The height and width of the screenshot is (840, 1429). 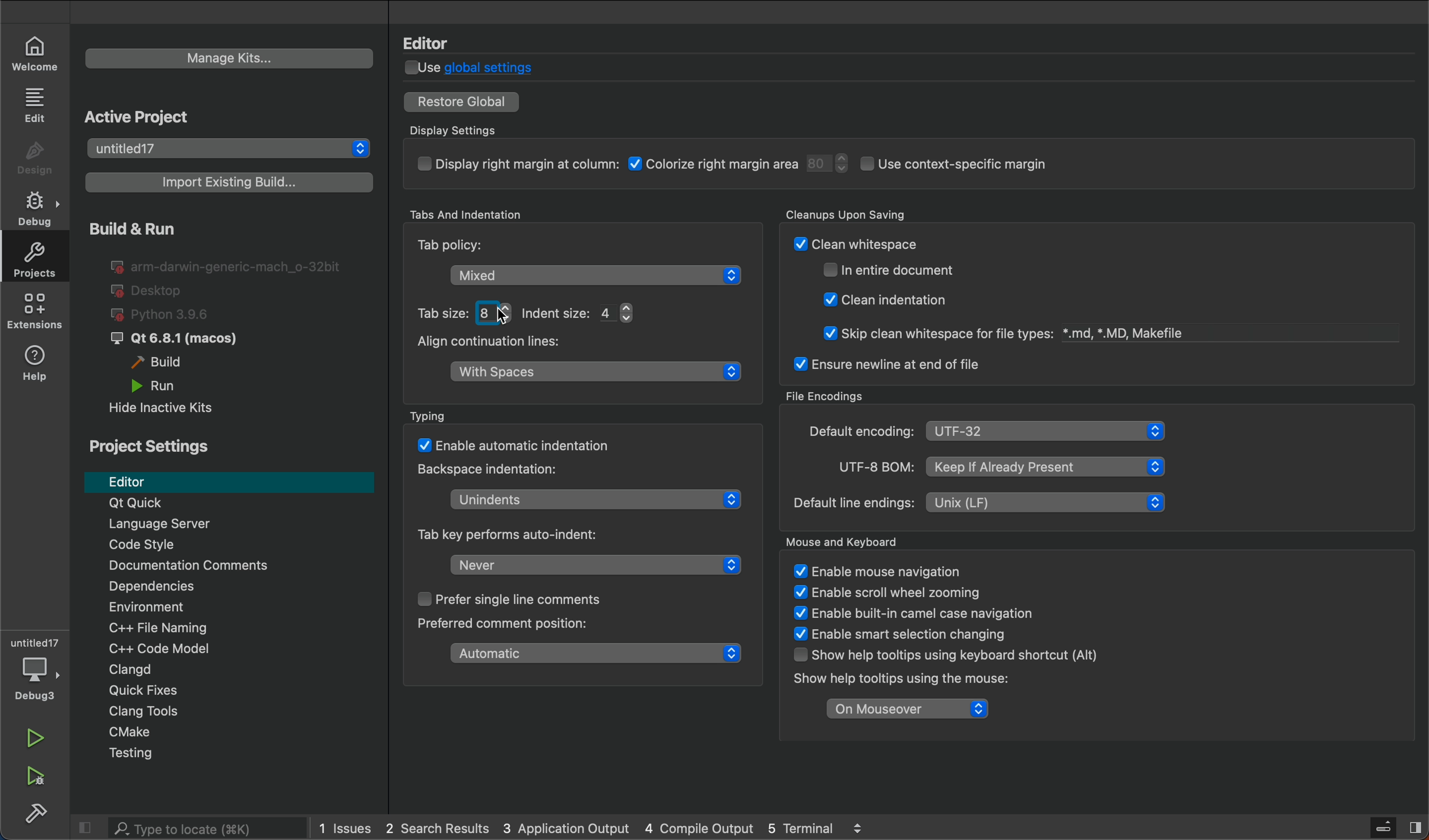 What do you see at coordinates (150, 447) in the screenshot?
I see `project settings` at bounding box center [150, 447].